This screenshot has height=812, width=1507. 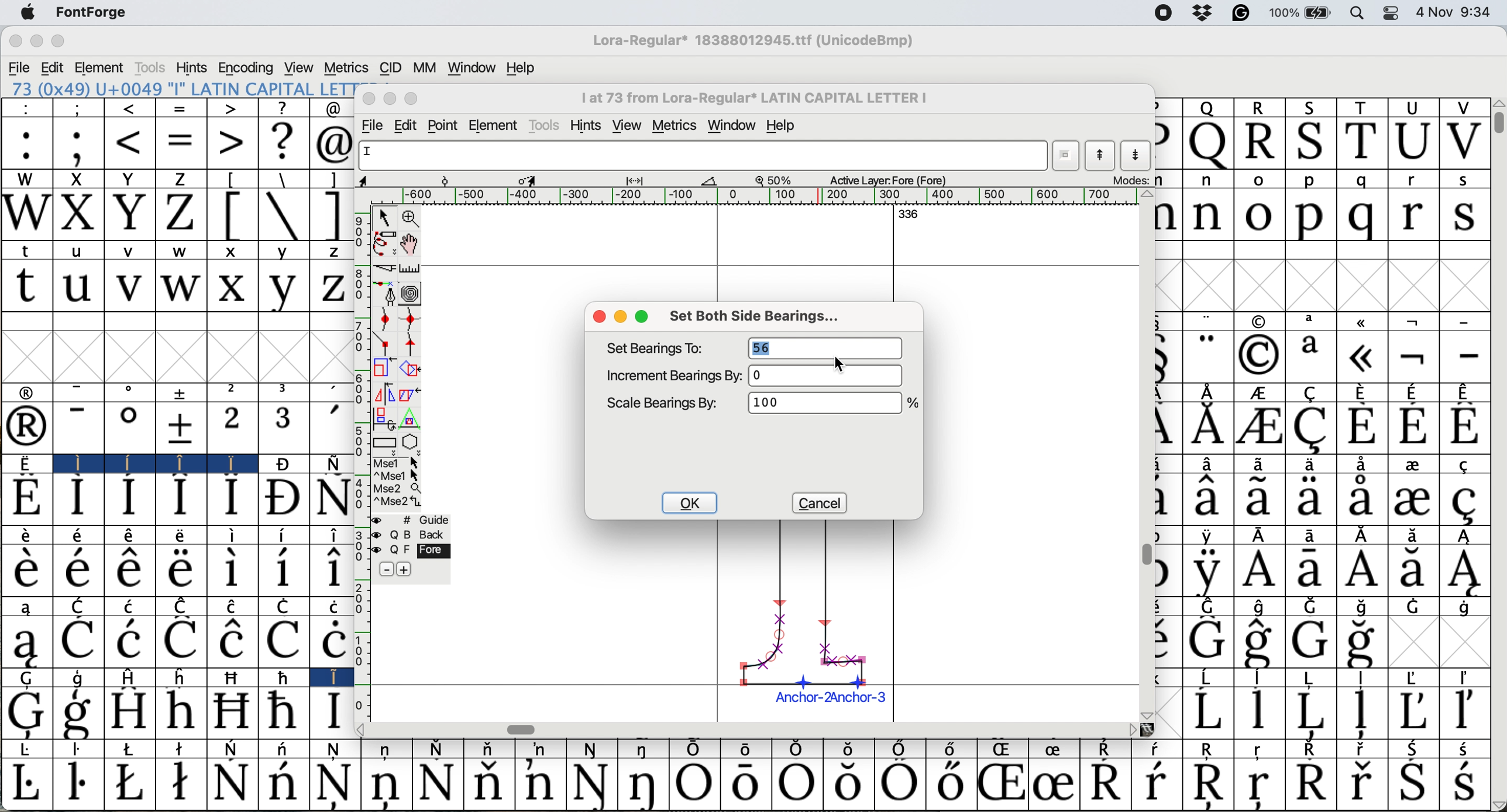 What do you see at coordinates (708, 180) in the screenshot?
I see `` at bounding box center [708, 180].